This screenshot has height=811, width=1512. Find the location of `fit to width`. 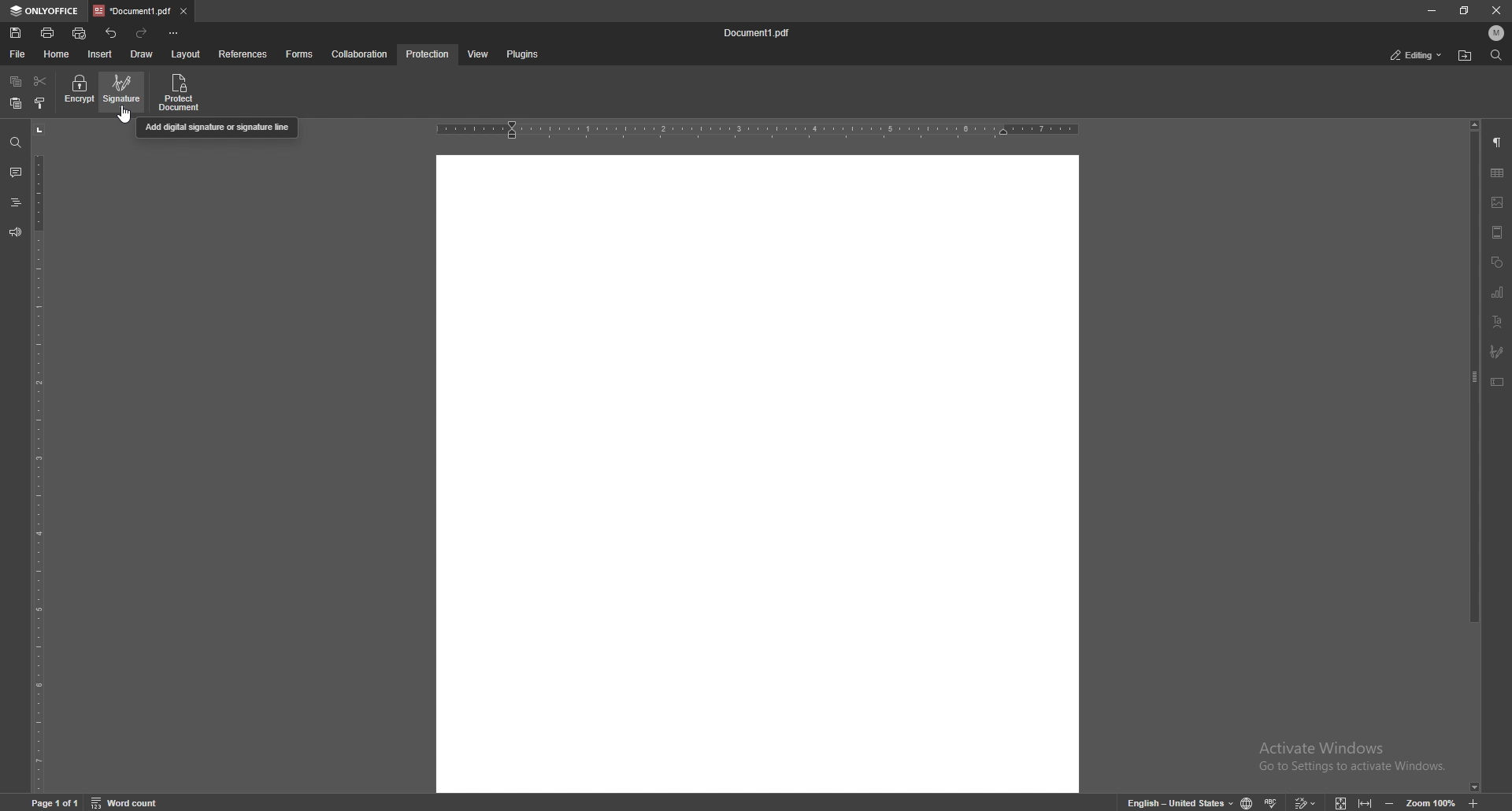

fit to width is located at coordinates (1367, 800).